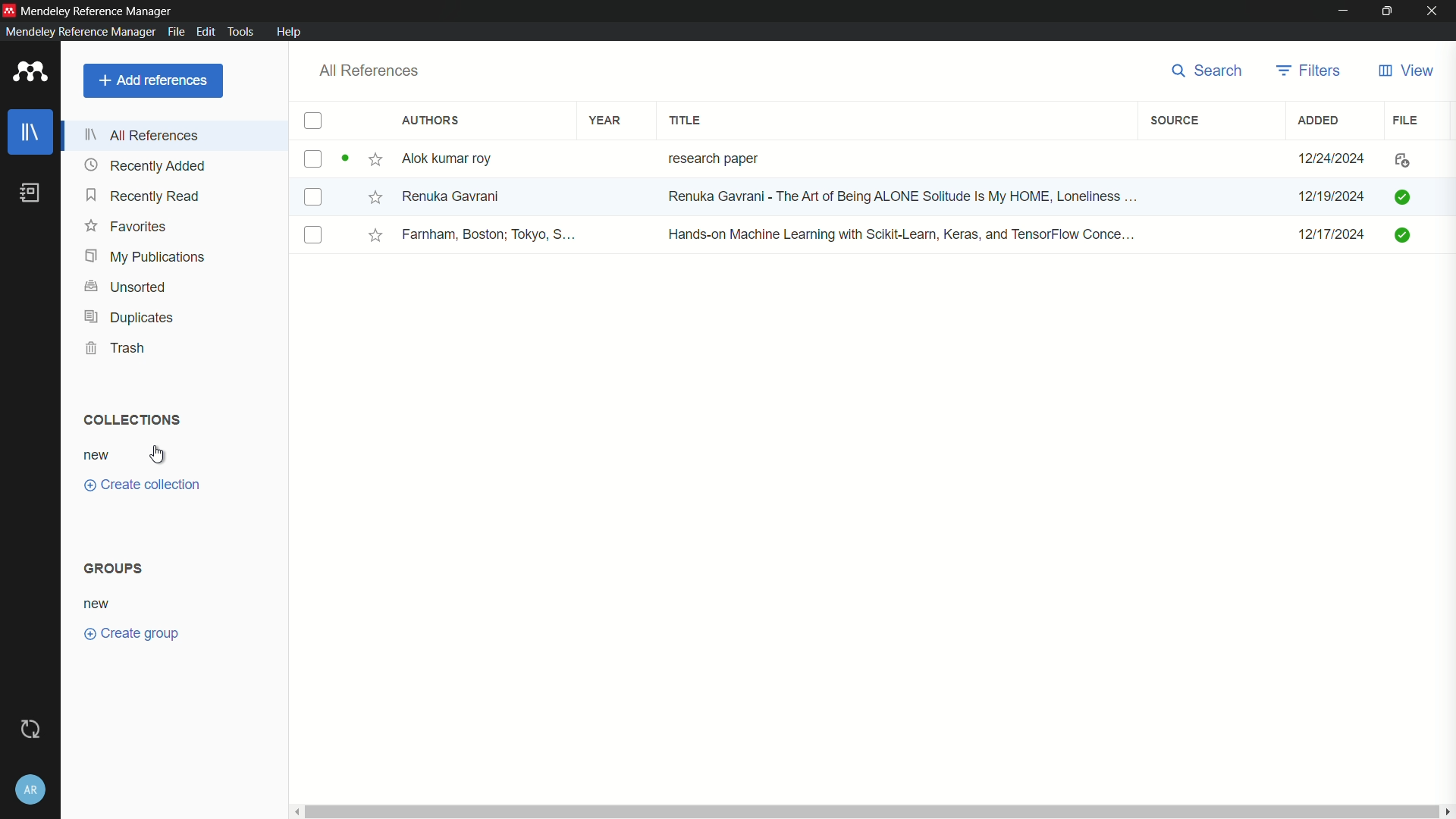  Describe the element at coordinates (1385, 11) in the screenshot. I see `maximize` at that location.